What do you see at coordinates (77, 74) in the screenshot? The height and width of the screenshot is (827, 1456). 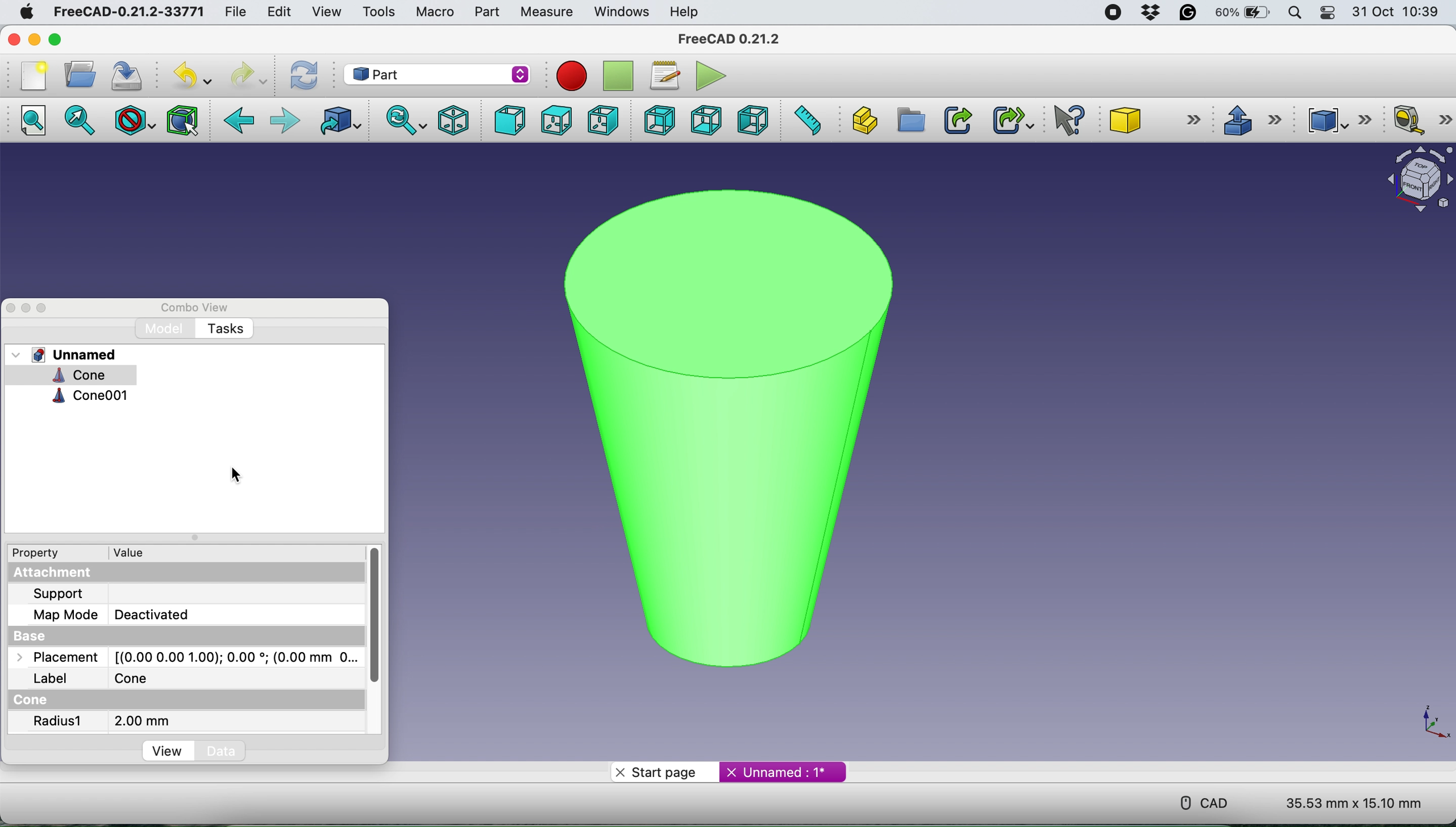 I see `open` at bounding box center [77, 74].